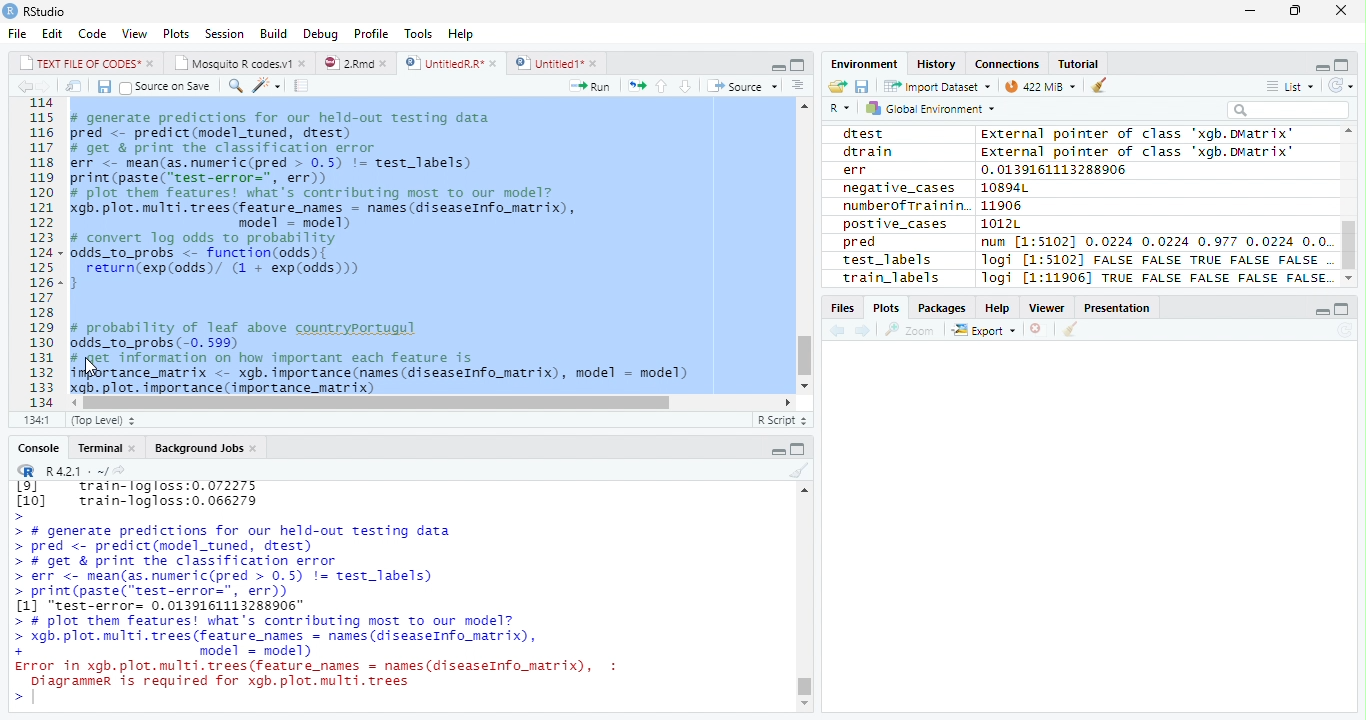  What do you see at coordinates (323, 612) in the screenshot?
I see `> # generate predictions for our held-out testing data

> pred <- predict(model_tuned, drest)

> # get & print the classification error

> err <- mean(as.numeric(pred > 0.5) != test_labels)

> print(paste("test-error=", err))

[1] "test-error= 0.0139161113288906"

> # plot them features! what's contributing most To our model?

> xgb. plot. multi. trees (feature names = names (diseaseInfo_matrix),

+ model = model)

Error in xgb.plot.multi.trees(feature names = names(diseaseInfo_matrix), :
Diagrammer is required for xgb.plot.multi.trees

>` at bounding box center [323, 612].